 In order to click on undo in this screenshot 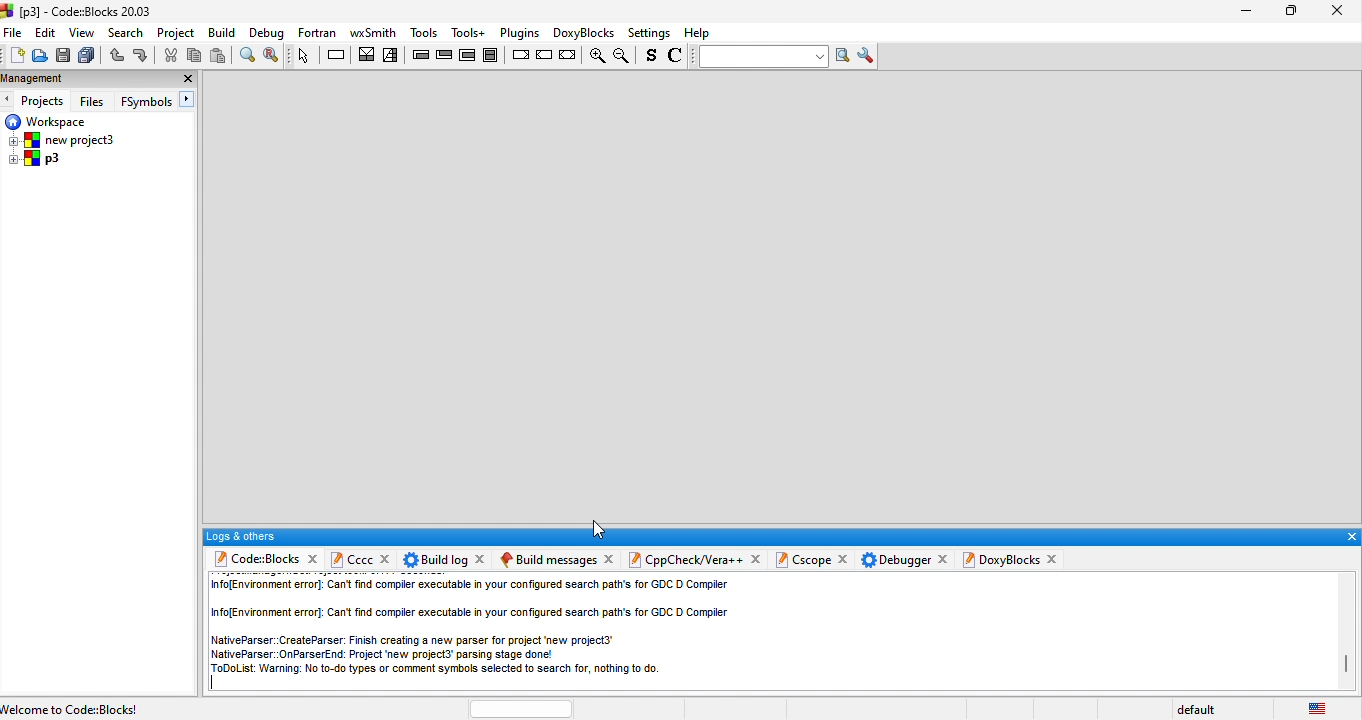, I will do `click(115, 56)`.